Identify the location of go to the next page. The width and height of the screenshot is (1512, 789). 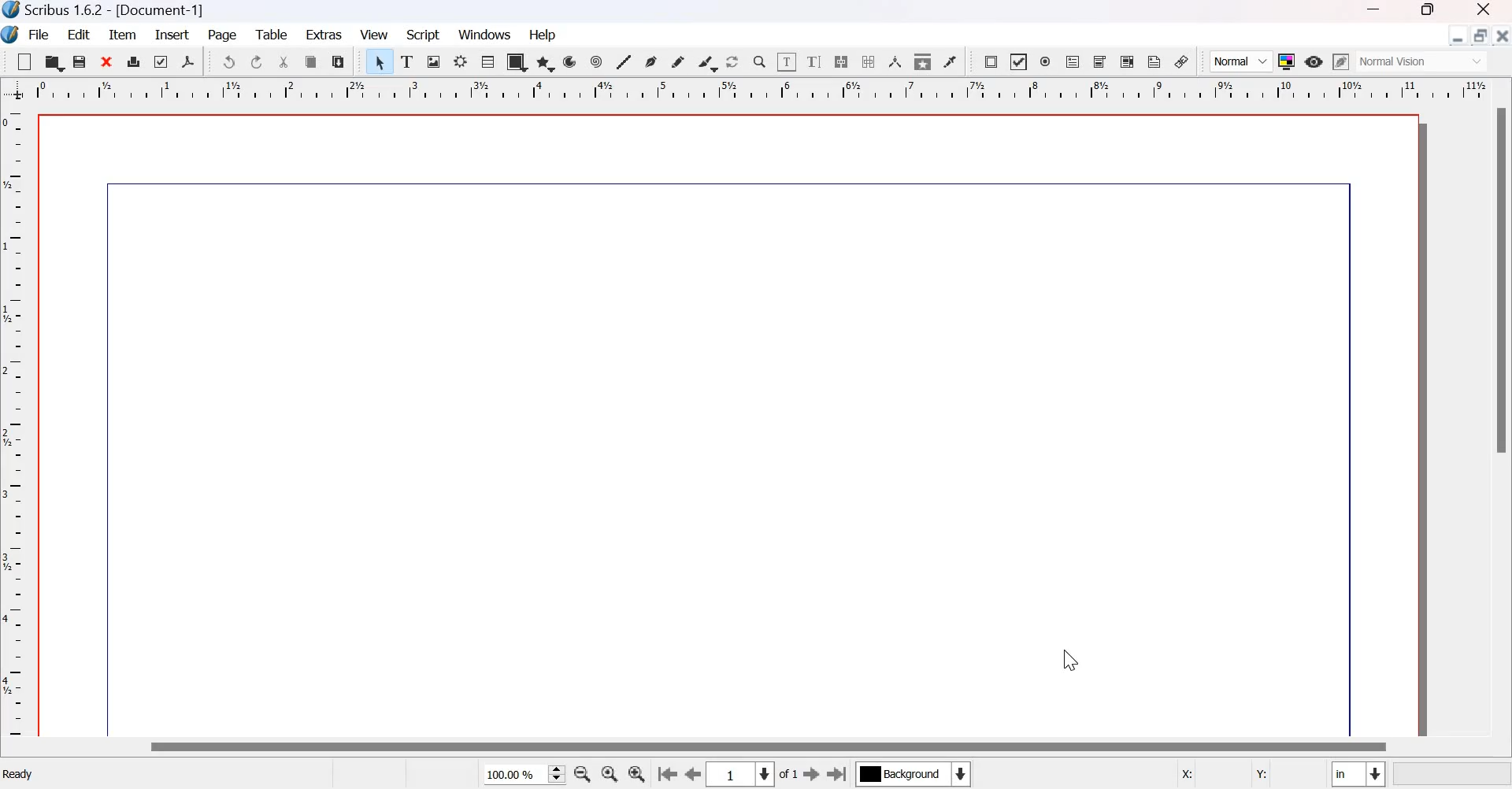
(810, 773).